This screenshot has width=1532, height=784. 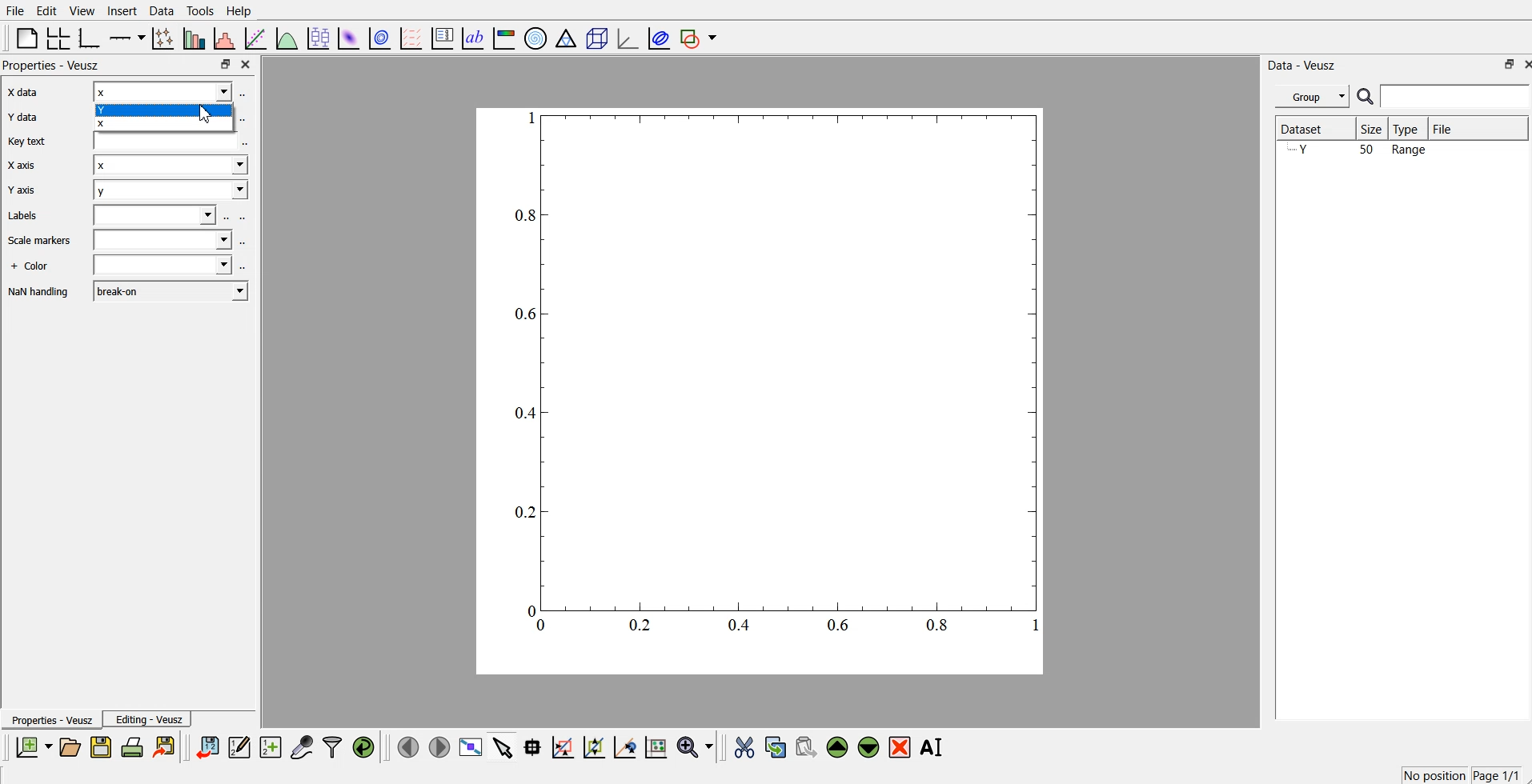 What do you see at coordinates (122, 10) in the screenshot?
I see `Insert` at bounding box center [122, 10].